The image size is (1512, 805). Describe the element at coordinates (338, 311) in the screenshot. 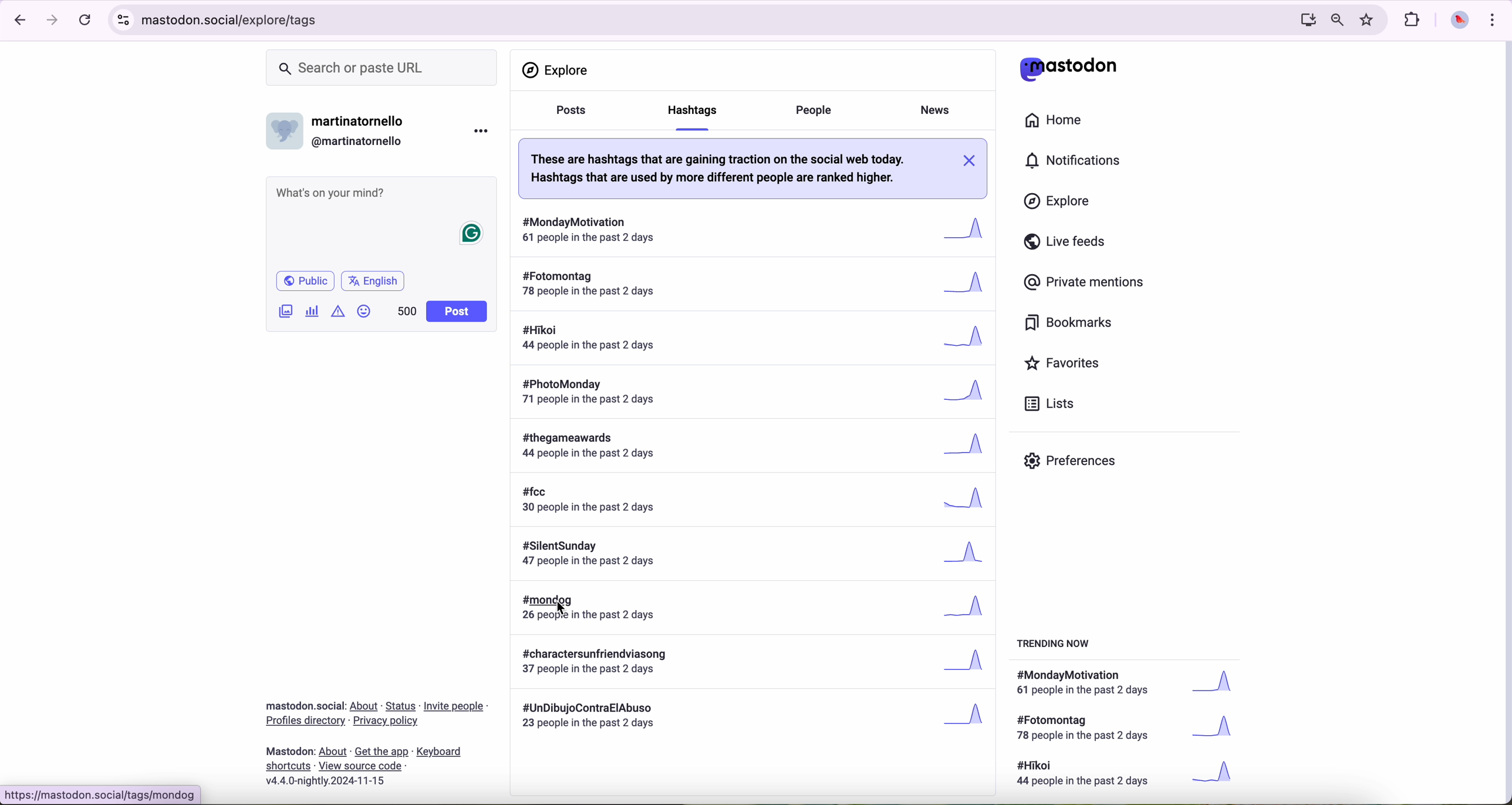

I see `icon` at that location.